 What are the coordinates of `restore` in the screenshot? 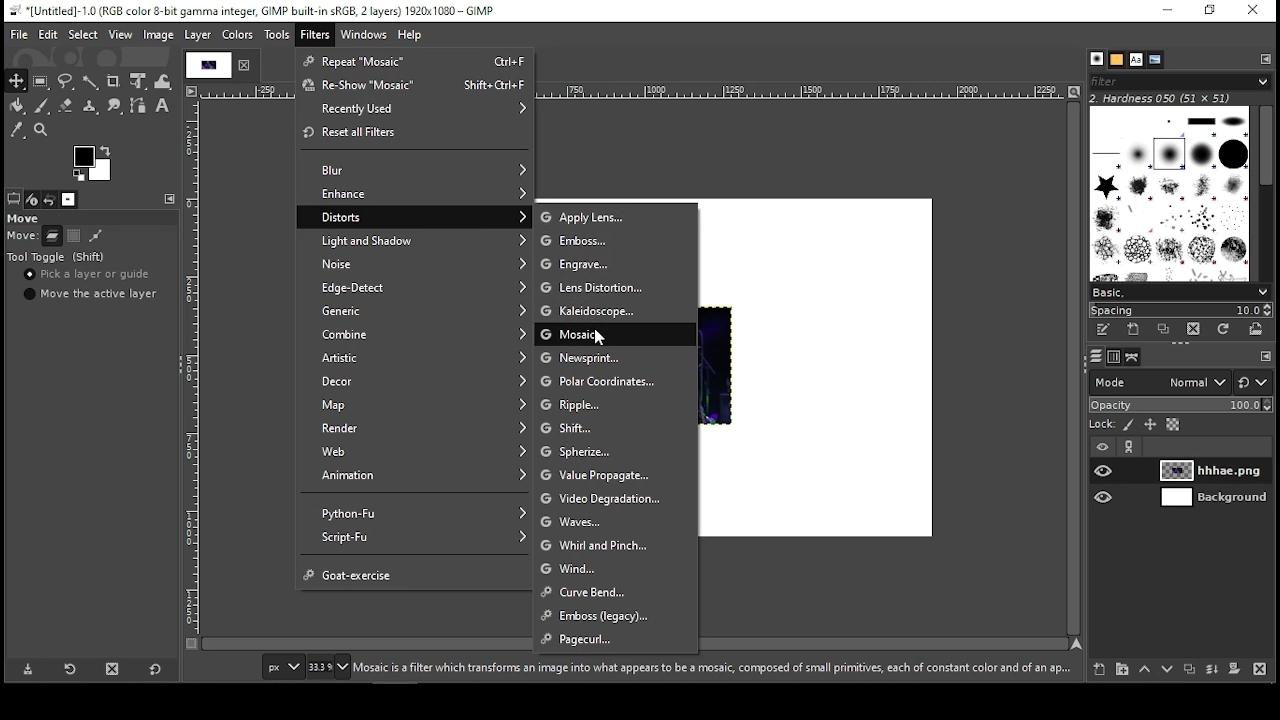 It's located at (1211, 10).